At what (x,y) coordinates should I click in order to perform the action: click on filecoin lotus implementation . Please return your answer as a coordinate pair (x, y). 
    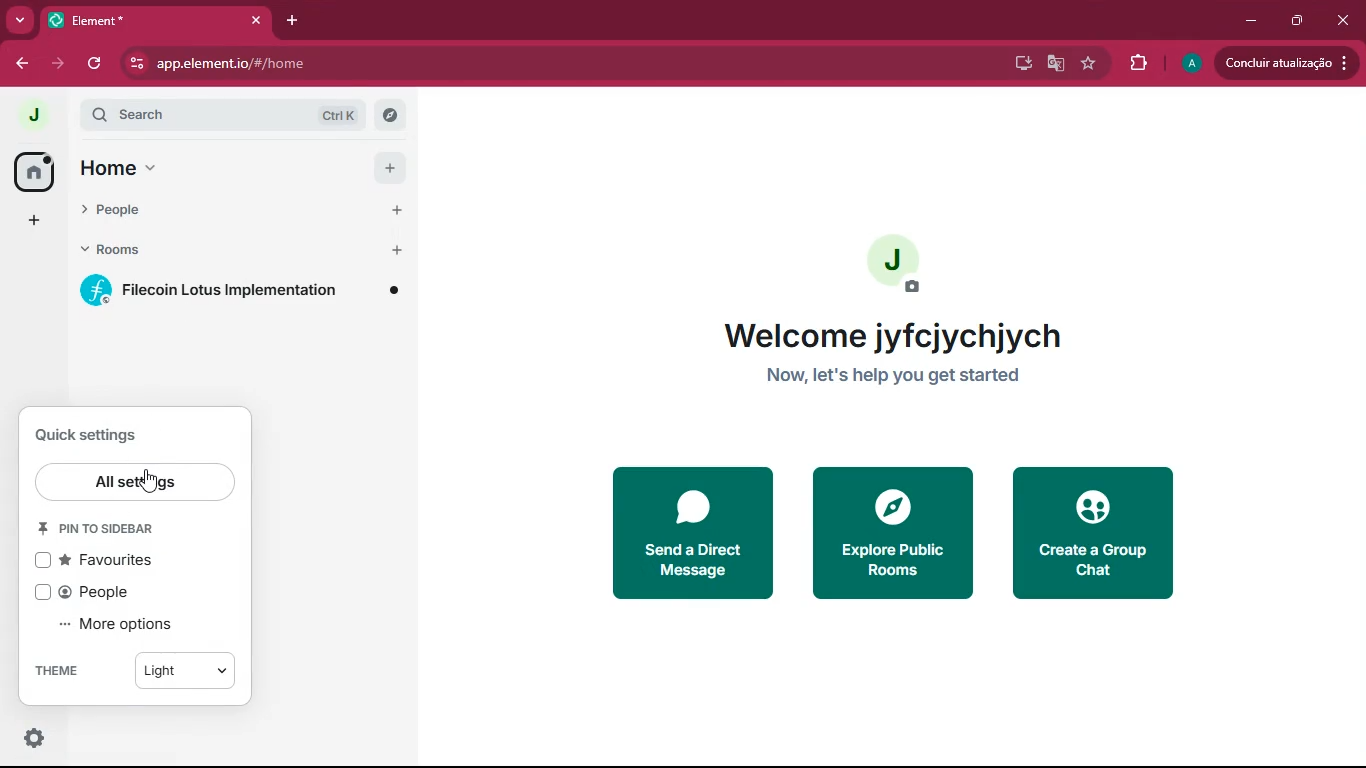
    Looking at the image, I should click on (238, 294).